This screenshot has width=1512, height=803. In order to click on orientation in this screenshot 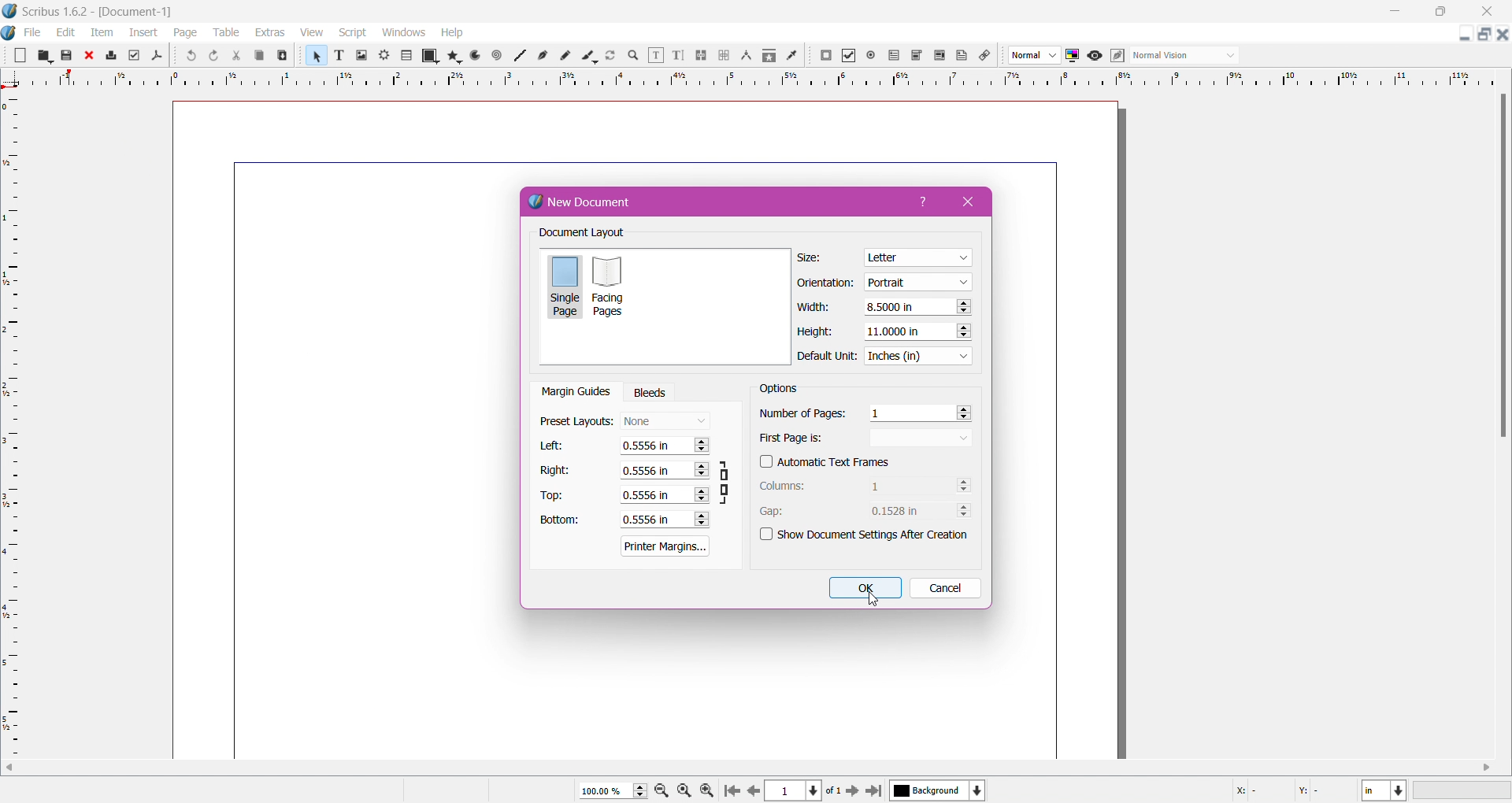, I will do `click(830, 283)`.